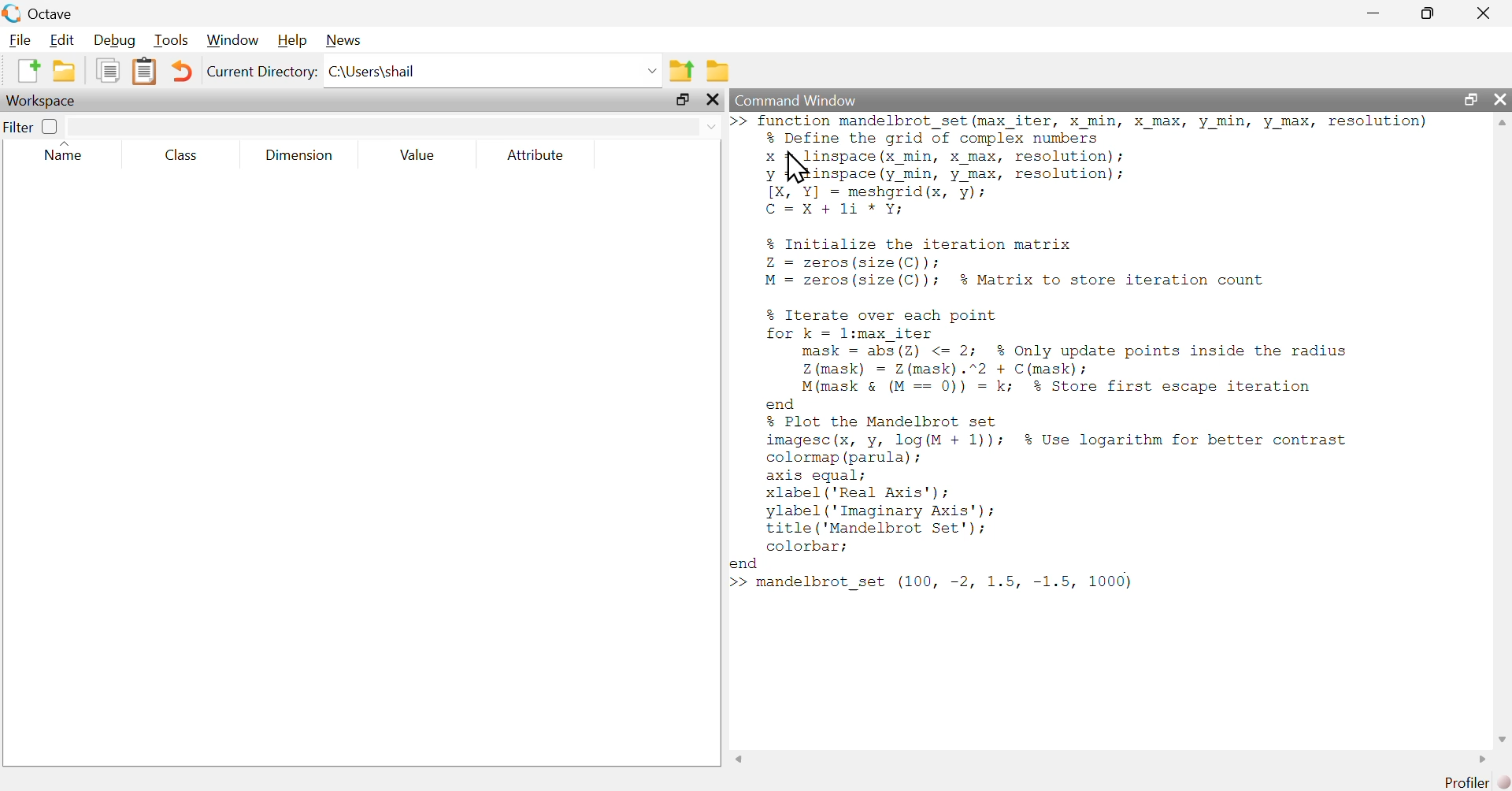 The image size is (1512, 791). Describe the element at coordinates (1499, 101) in the screenshot. I see `close` at that location.